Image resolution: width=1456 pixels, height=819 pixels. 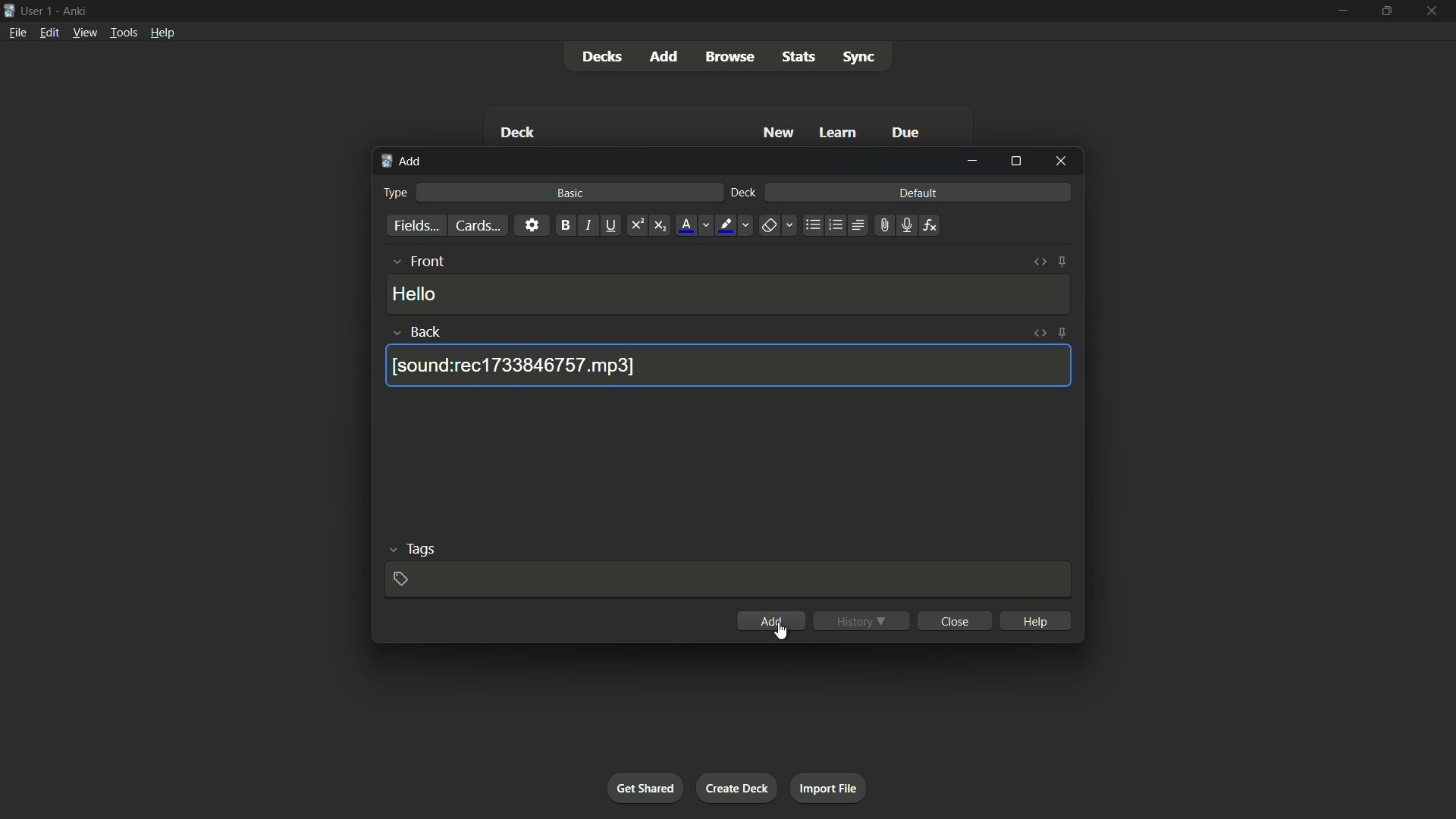 I want to click on sync, so click(x=861, y=58).